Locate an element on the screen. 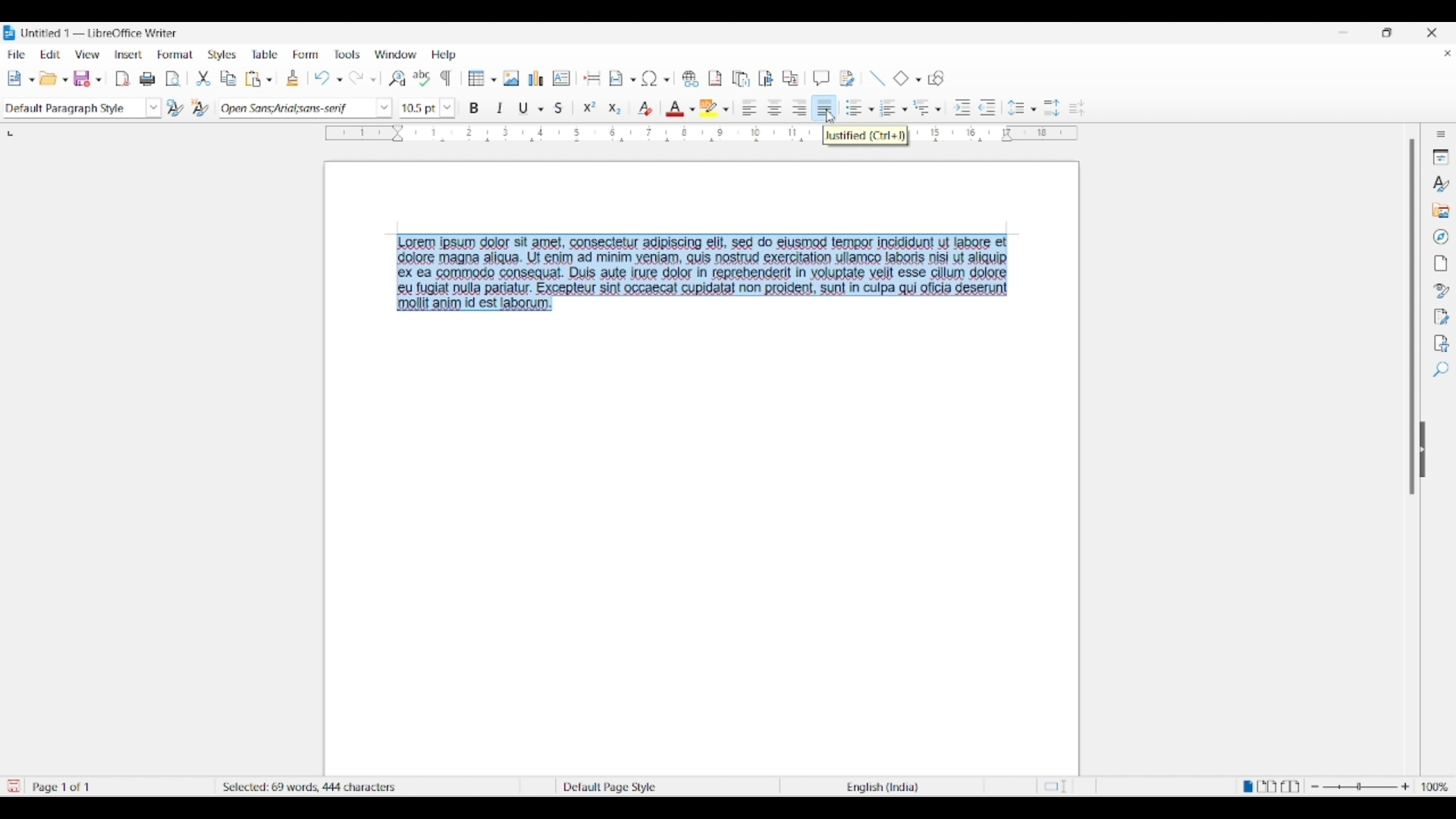 The image size is (1456, 819). 69 words, 446 characters is located at coordinates (287, 785).